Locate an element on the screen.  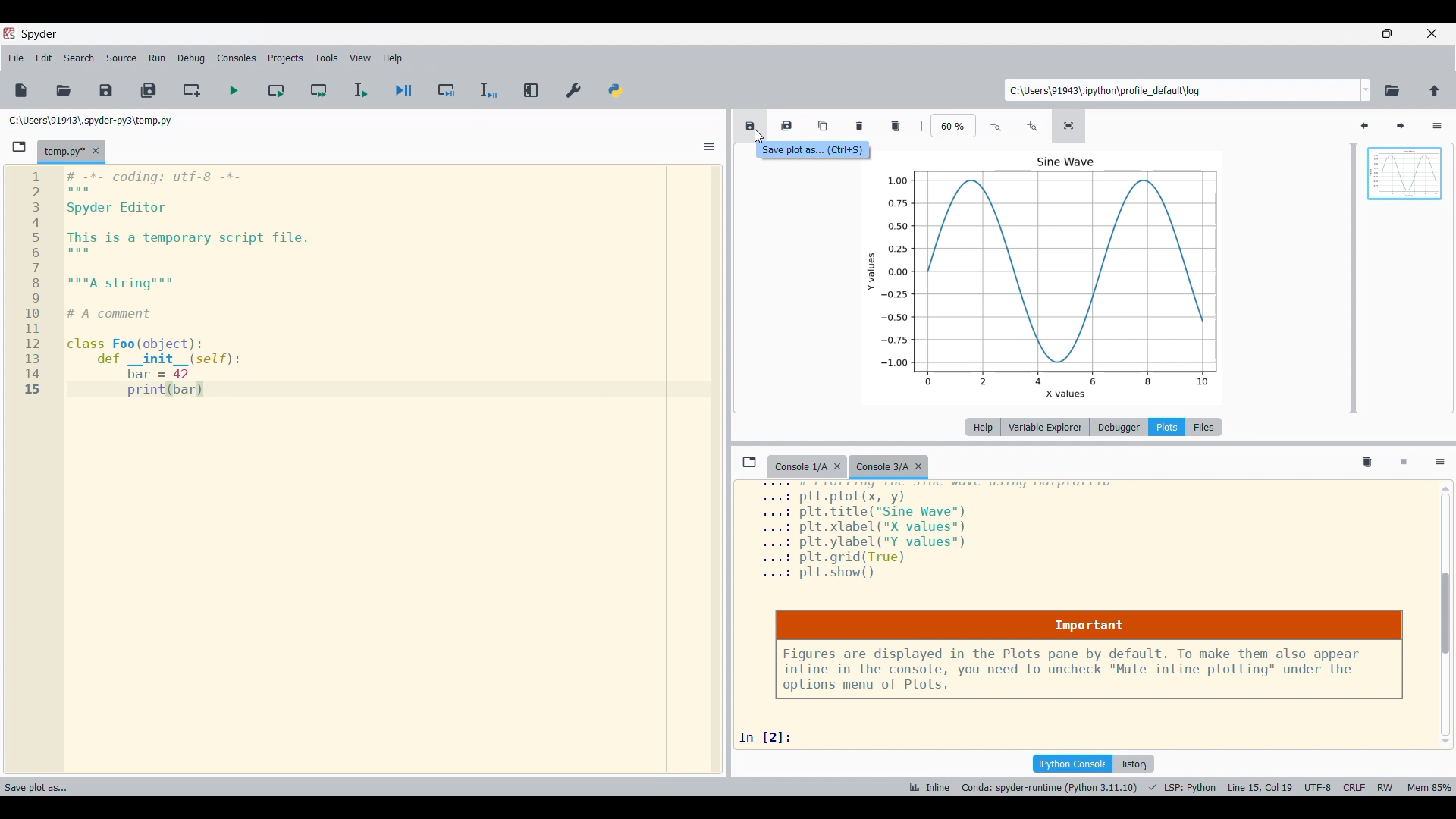
Fit plot to pane size, current selection highlighted is located at coordinates (1068, 126).